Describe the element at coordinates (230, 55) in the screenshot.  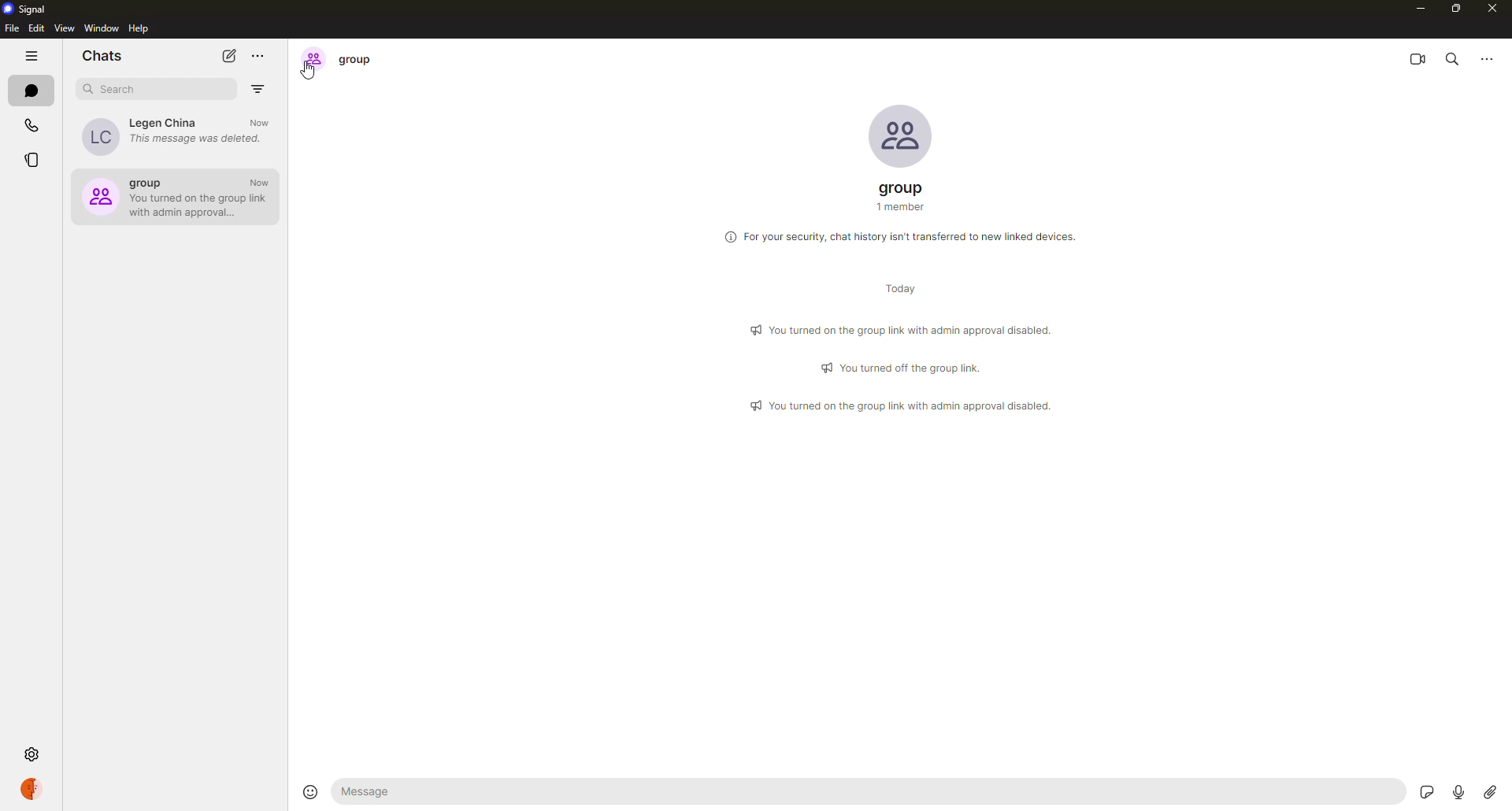
I see `new chat` at that location.